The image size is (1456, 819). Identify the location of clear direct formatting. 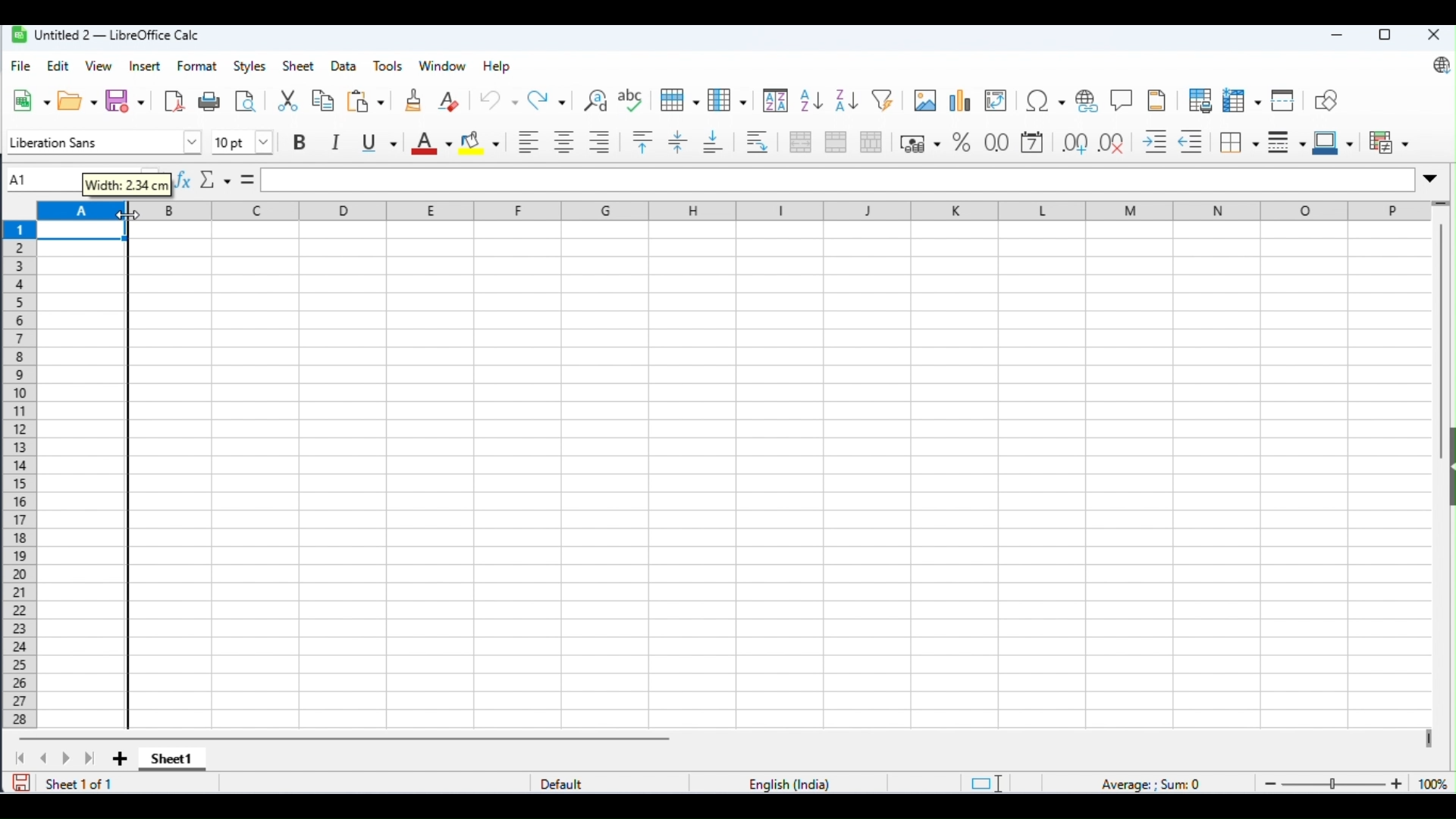
(450, 99).